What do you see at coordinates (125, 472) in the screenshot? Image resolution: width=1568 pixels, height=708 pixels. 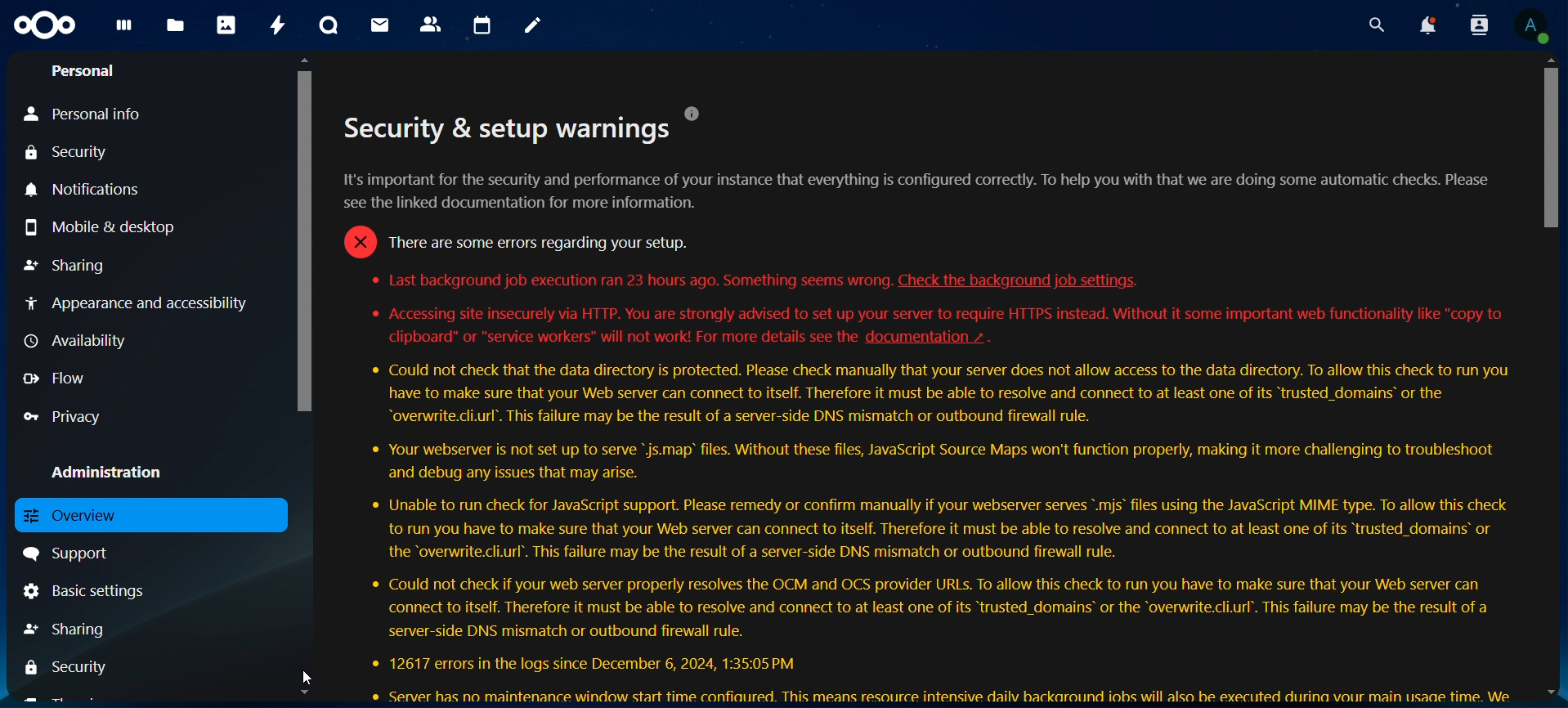 I see `administration` at bounding box center [125, 472].